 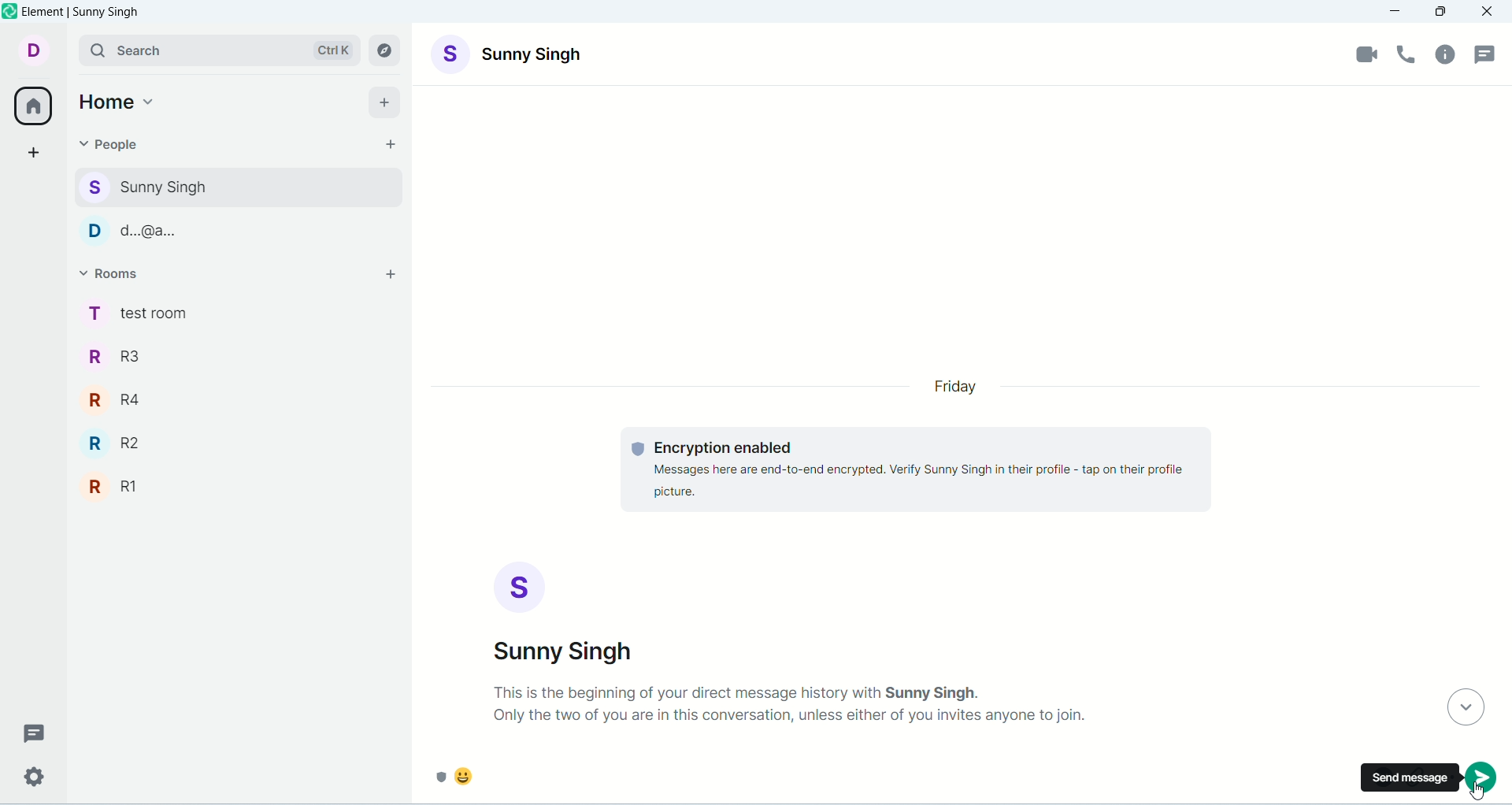 What do you see at coordinates (10, 10) in the screenshot?
I see `logo` at bounding box center [10, 10].